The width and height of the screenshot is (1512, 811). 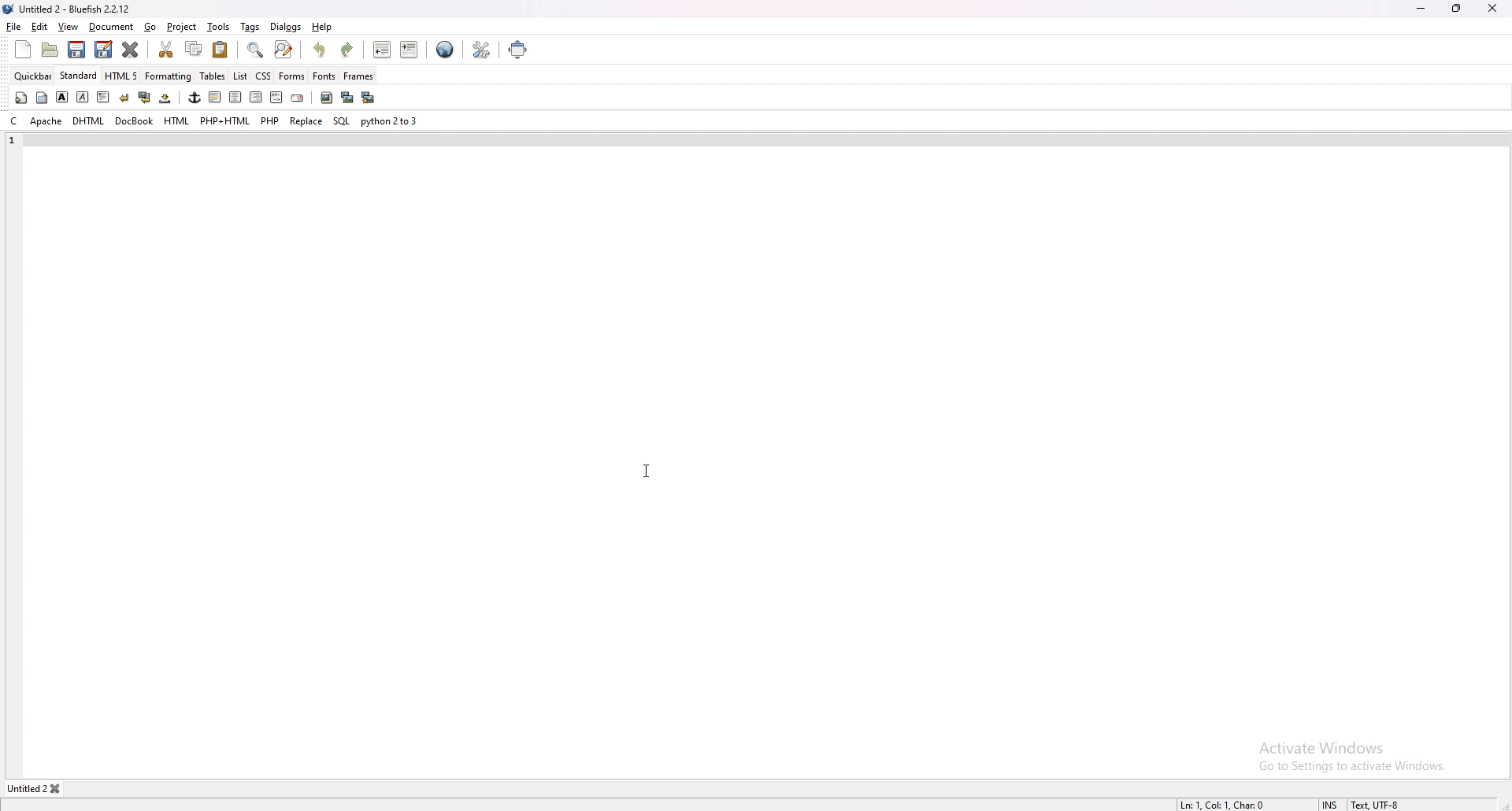 I want to click on tags, so click(x=250, y=27).